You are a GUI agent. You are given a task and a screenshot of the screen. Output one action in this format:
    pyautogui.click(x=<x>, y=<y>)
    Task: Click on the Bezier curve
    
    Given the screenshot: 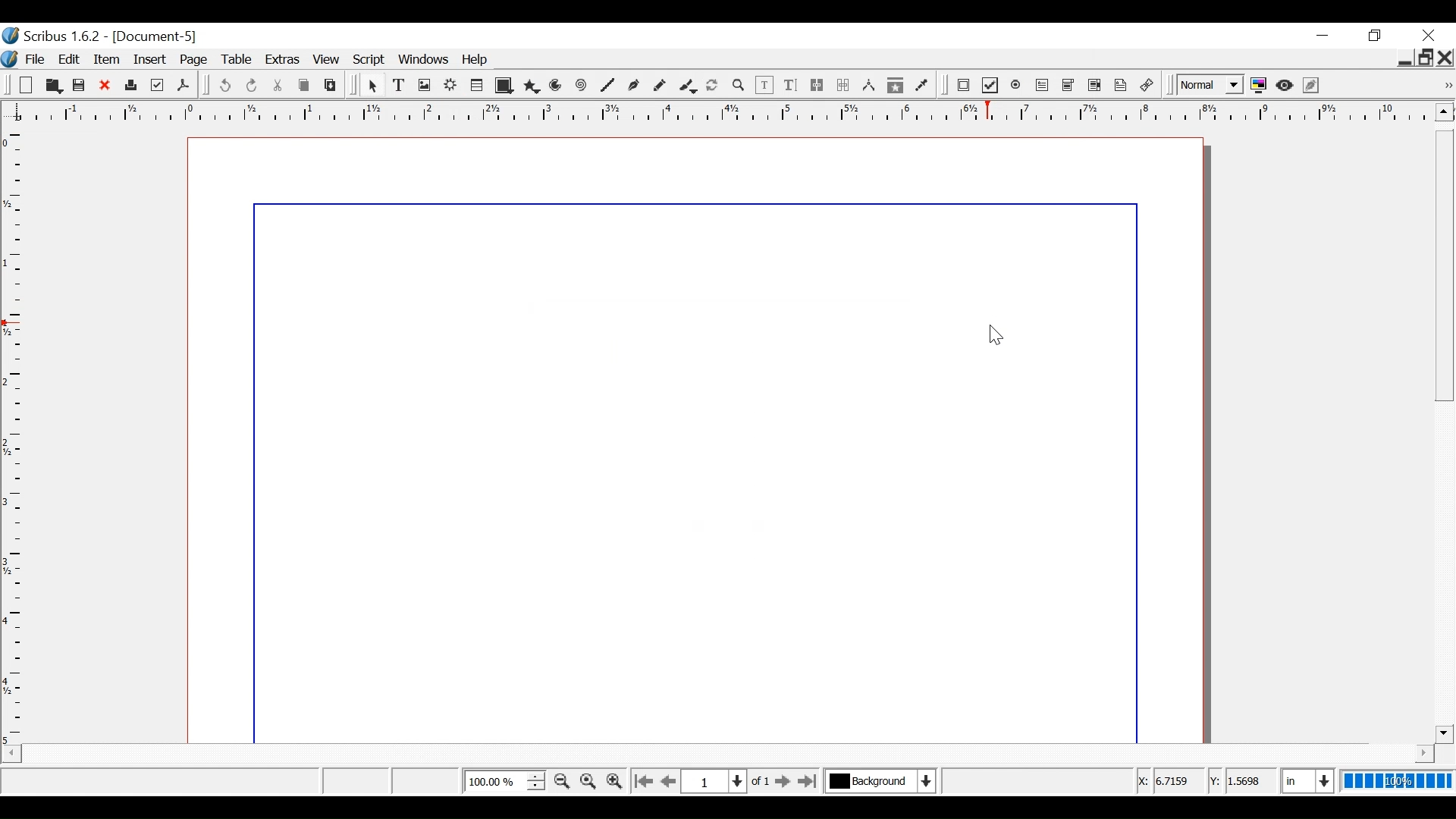 What is the action you would take?
    pyautogui.click(x=632, y=86)
    